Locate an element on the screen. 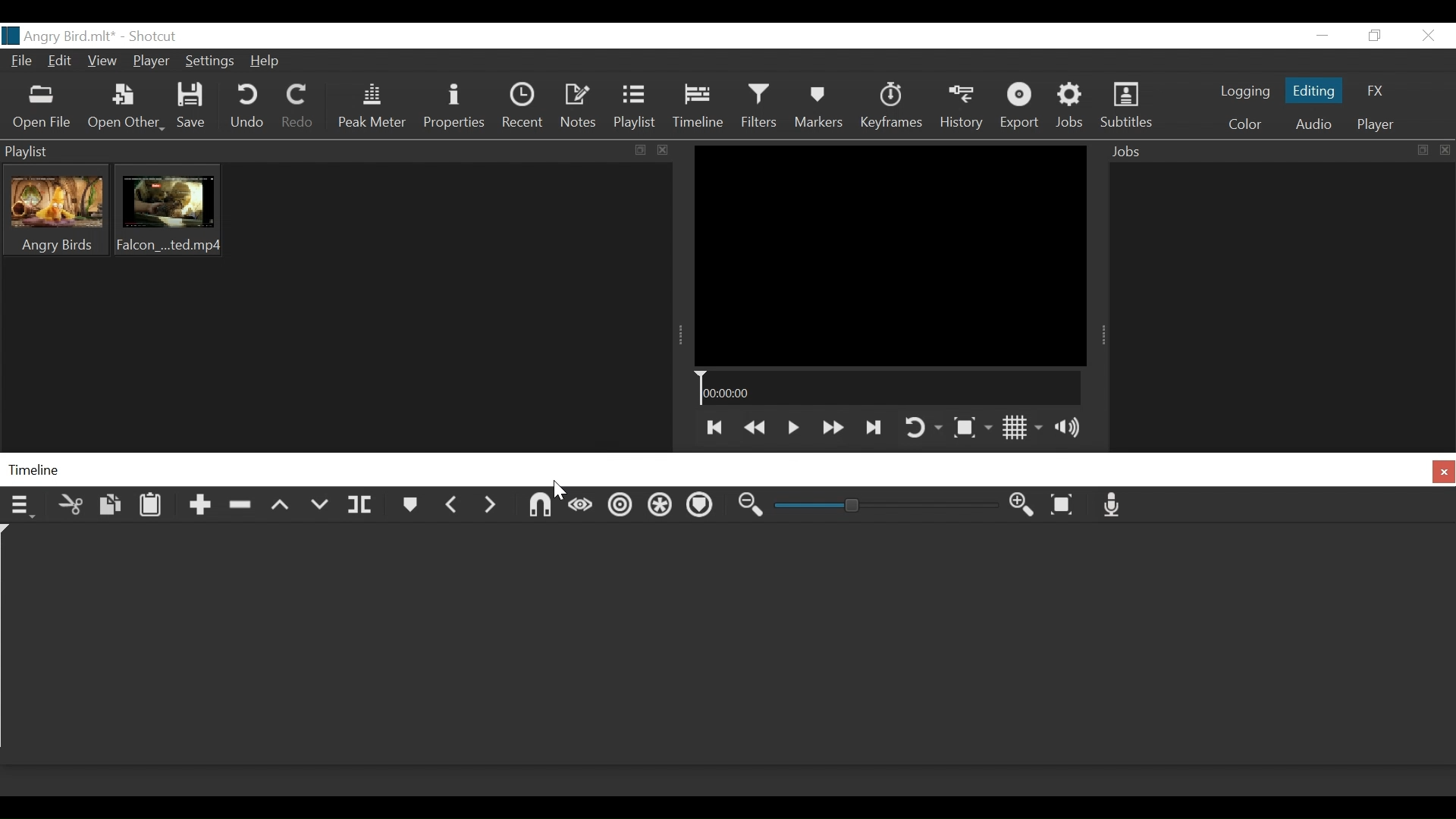  Export is located at coordinates (1021, 106).